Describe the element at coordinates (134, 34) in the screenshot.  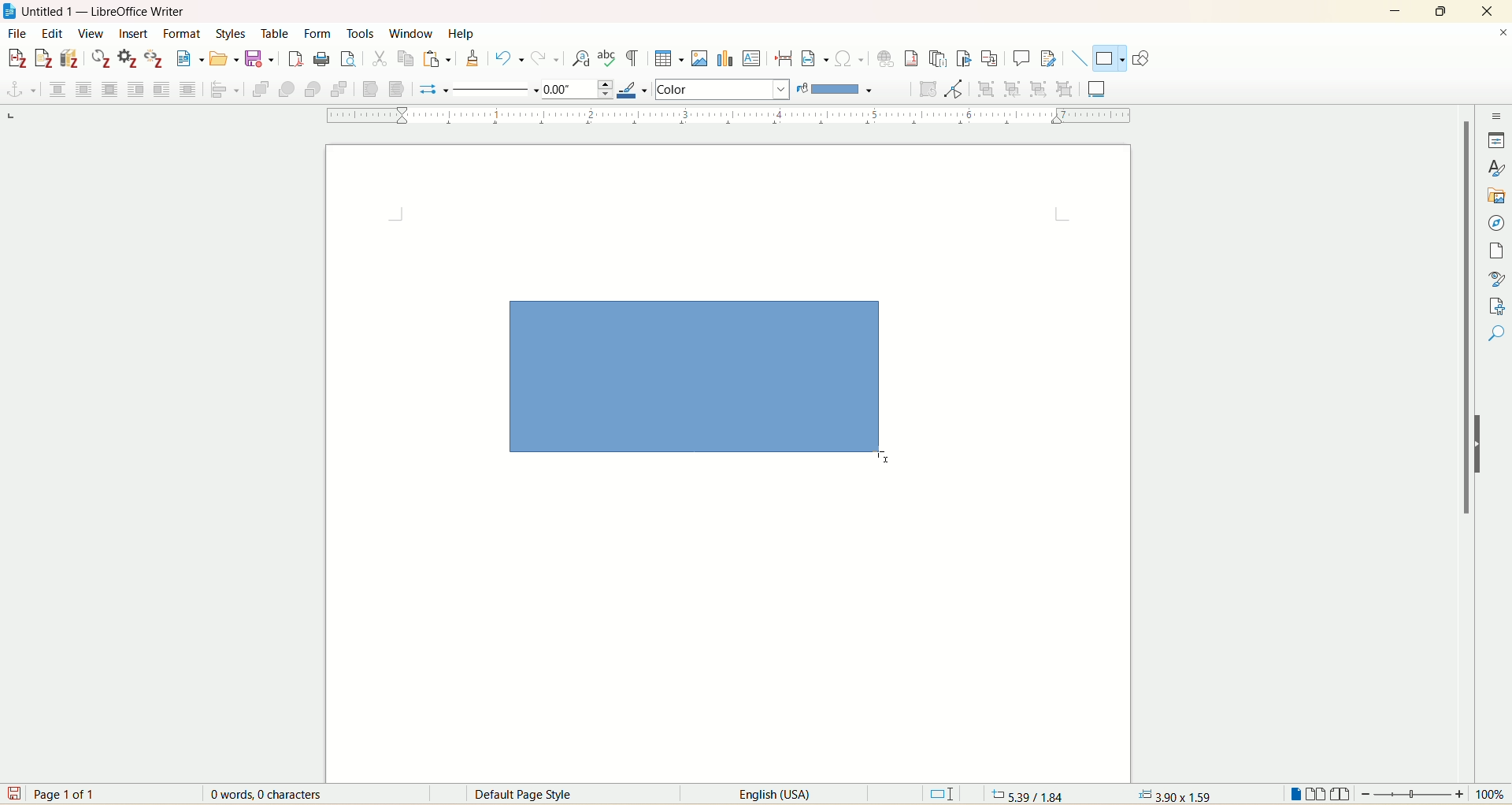
I see `insert` at that location.